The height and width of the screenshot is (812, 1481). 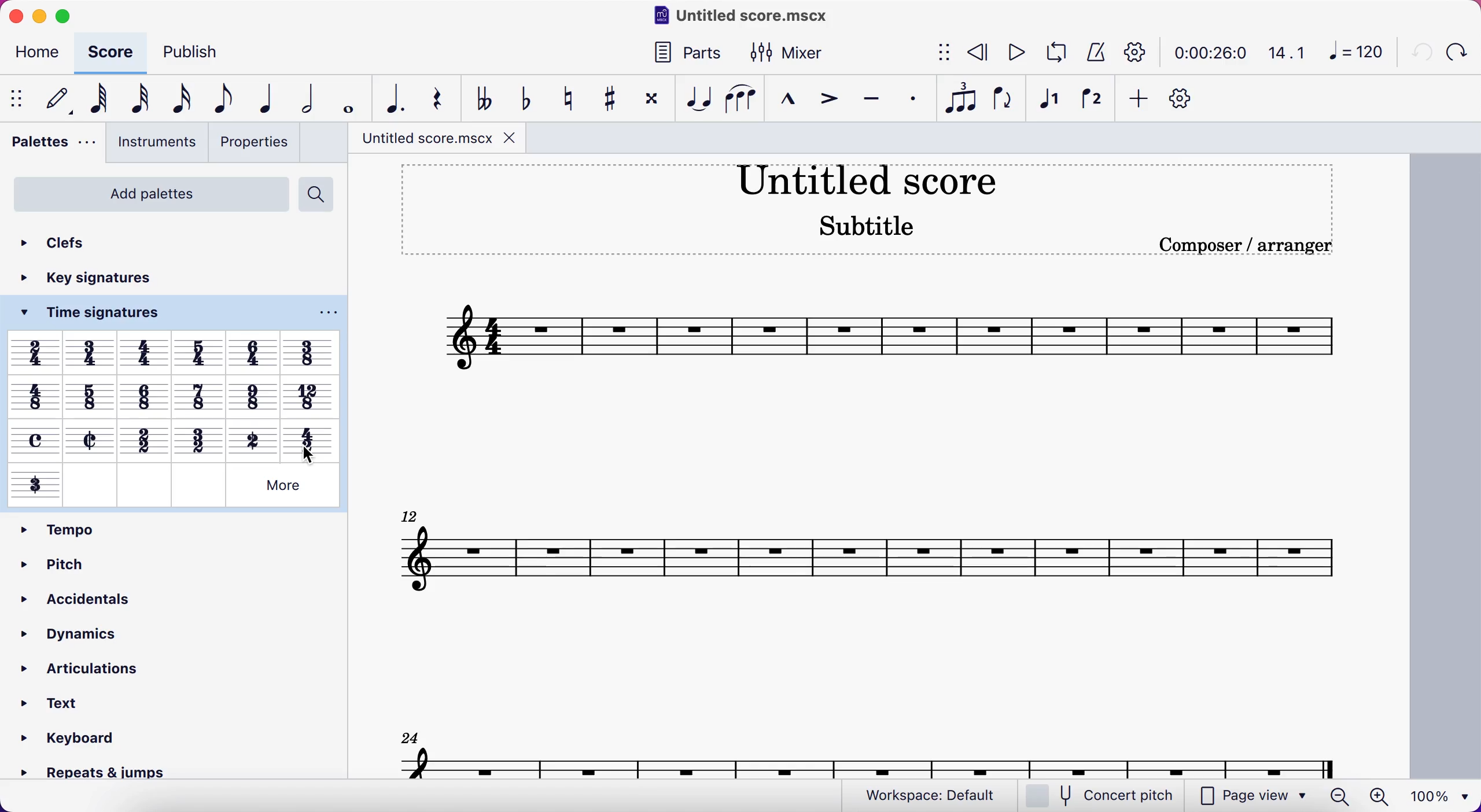 I want to click on accent, so click(x=826, y=98).